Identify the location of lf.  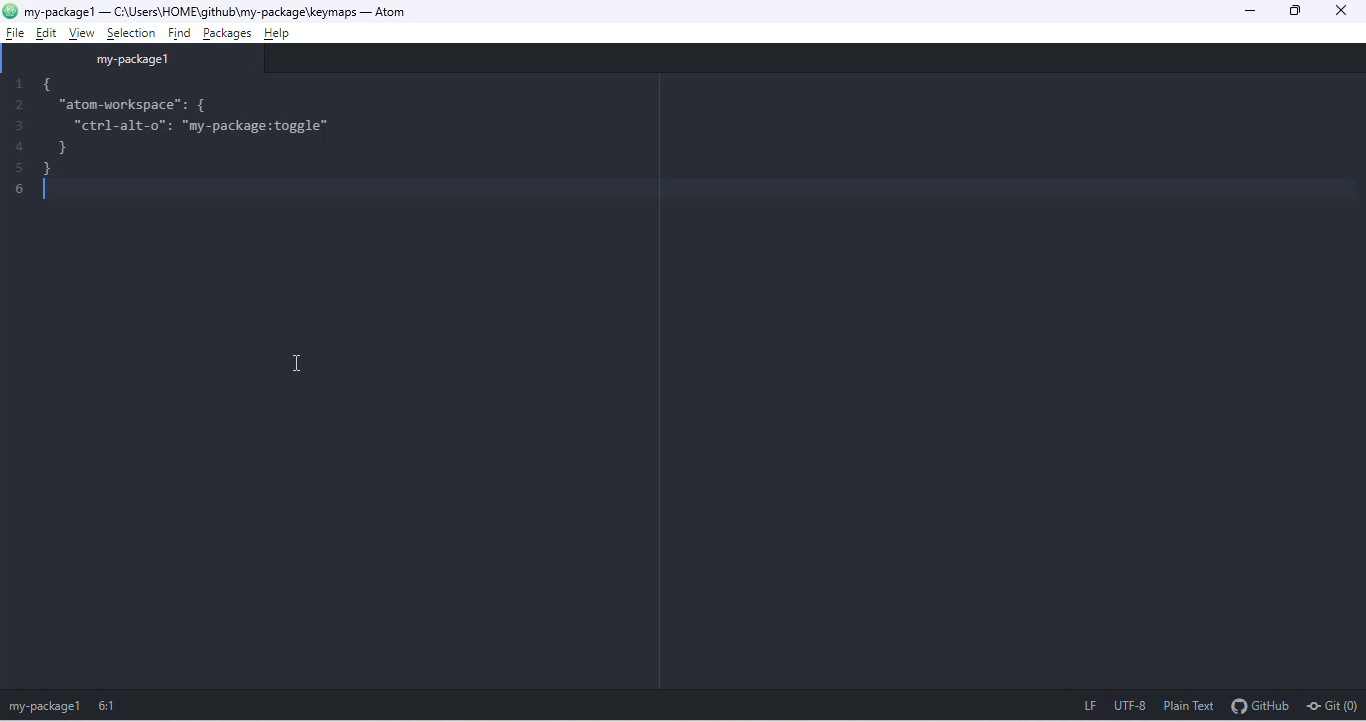
(1081, 707).